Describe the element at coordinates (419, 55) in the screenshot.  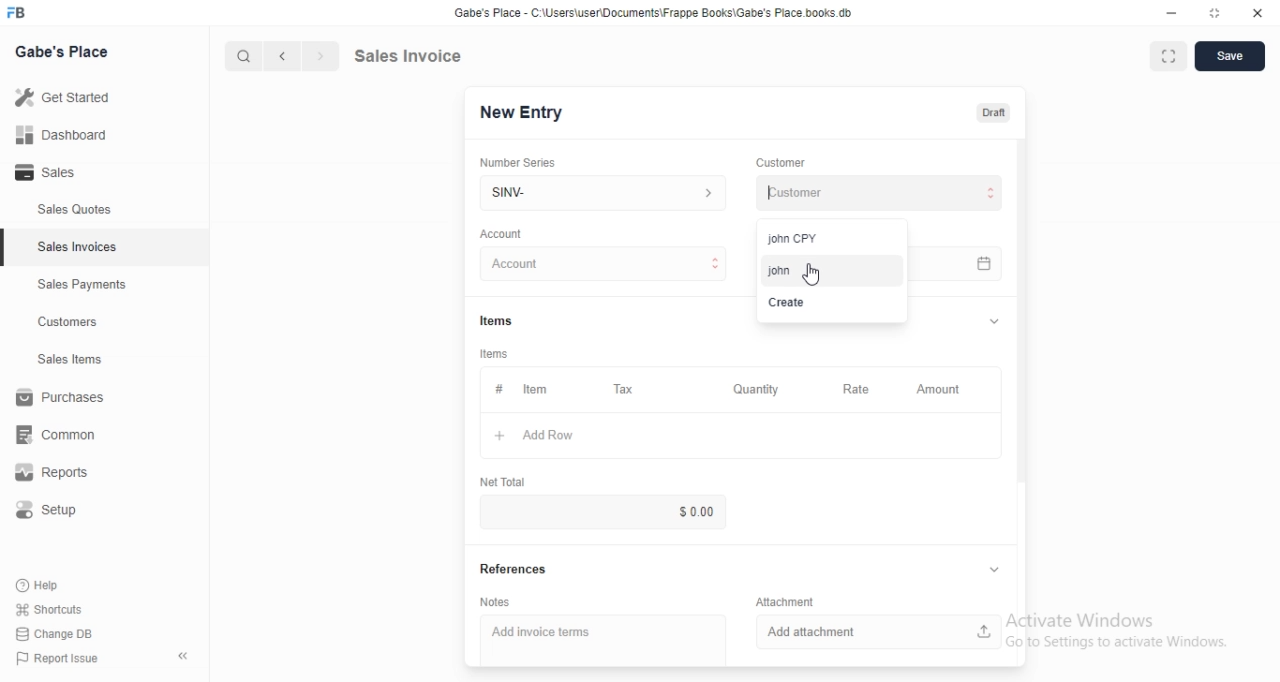
I see `Sales Invoice` at that location.